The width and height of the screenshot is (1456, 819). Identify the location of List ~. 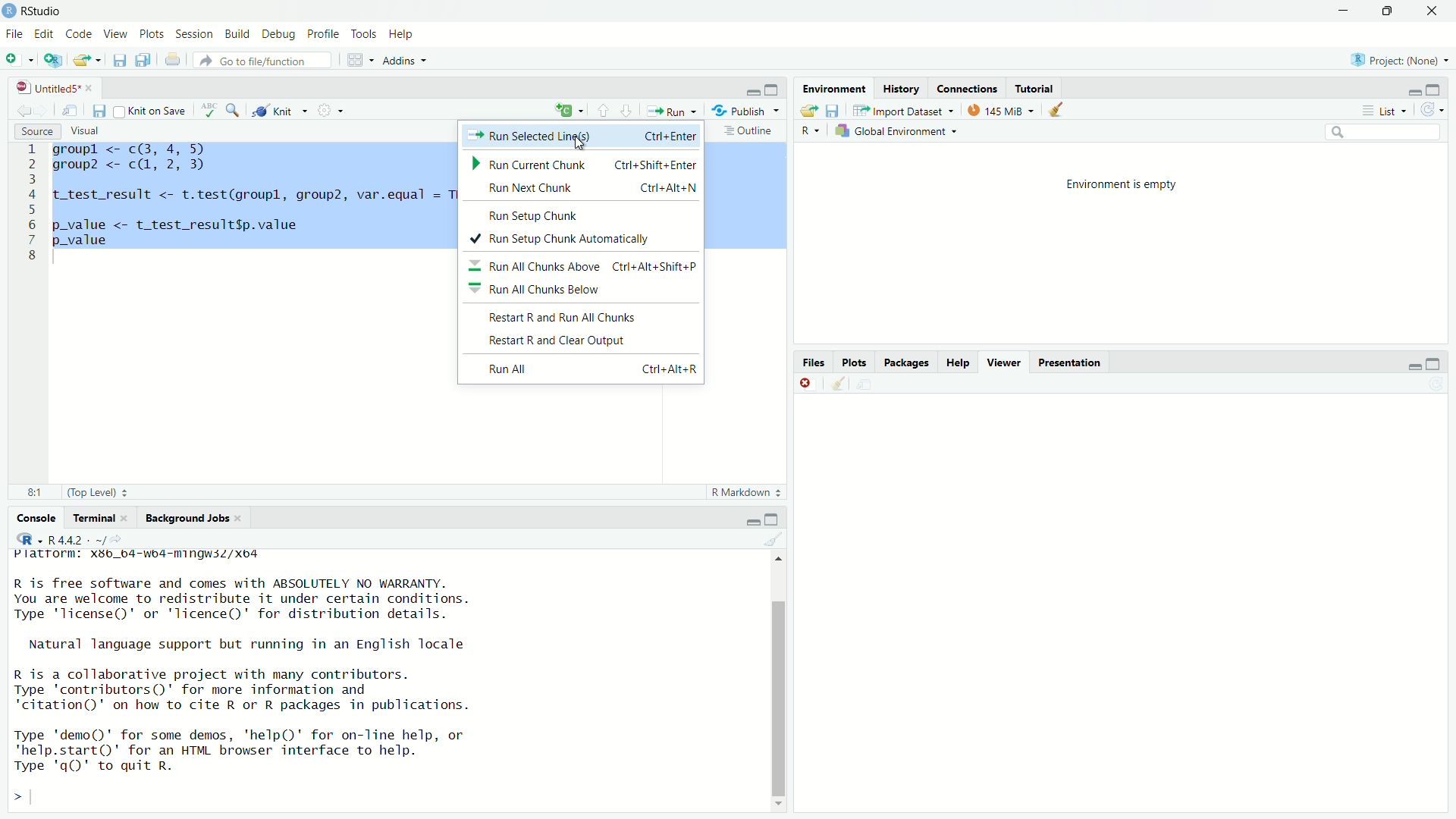
(1381, 109).